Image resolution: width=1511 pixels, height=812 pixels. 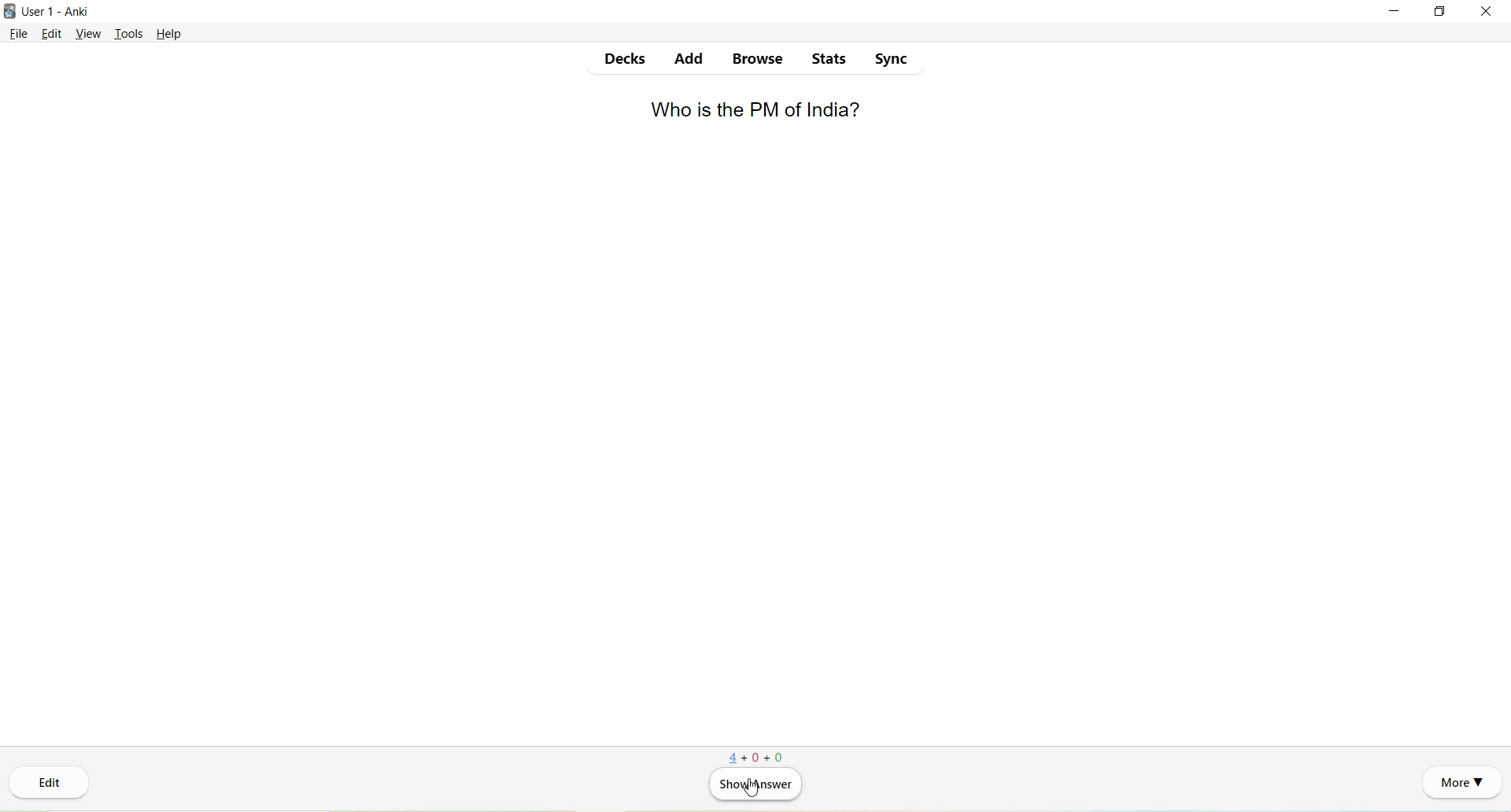 I want to click on Minimize, so click(x=1395, y=11).